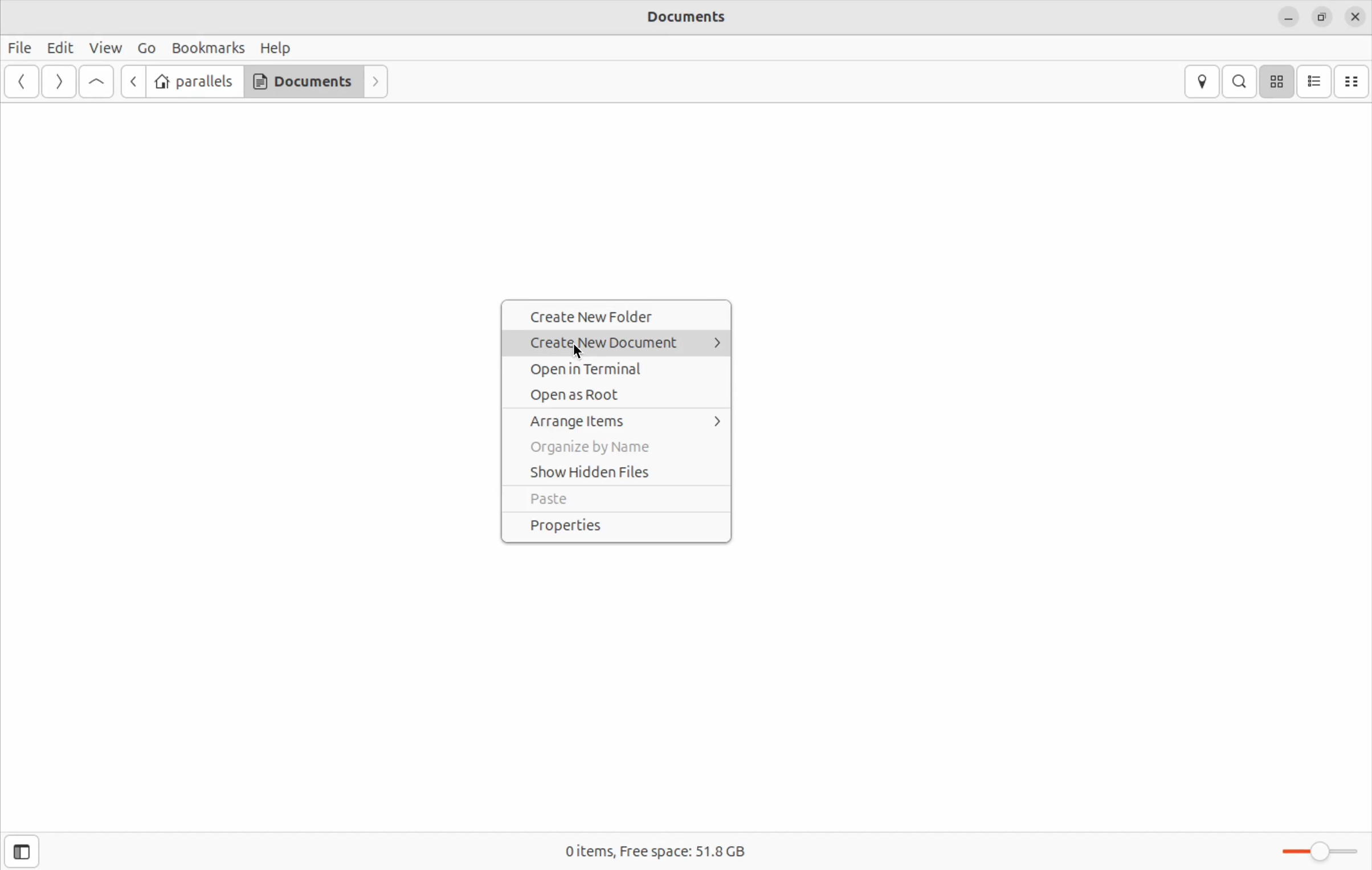 This screenshot has height=870, width=1372. Describe the element at coordinates (108, 47) in the screenshot. I see `View` at that location.